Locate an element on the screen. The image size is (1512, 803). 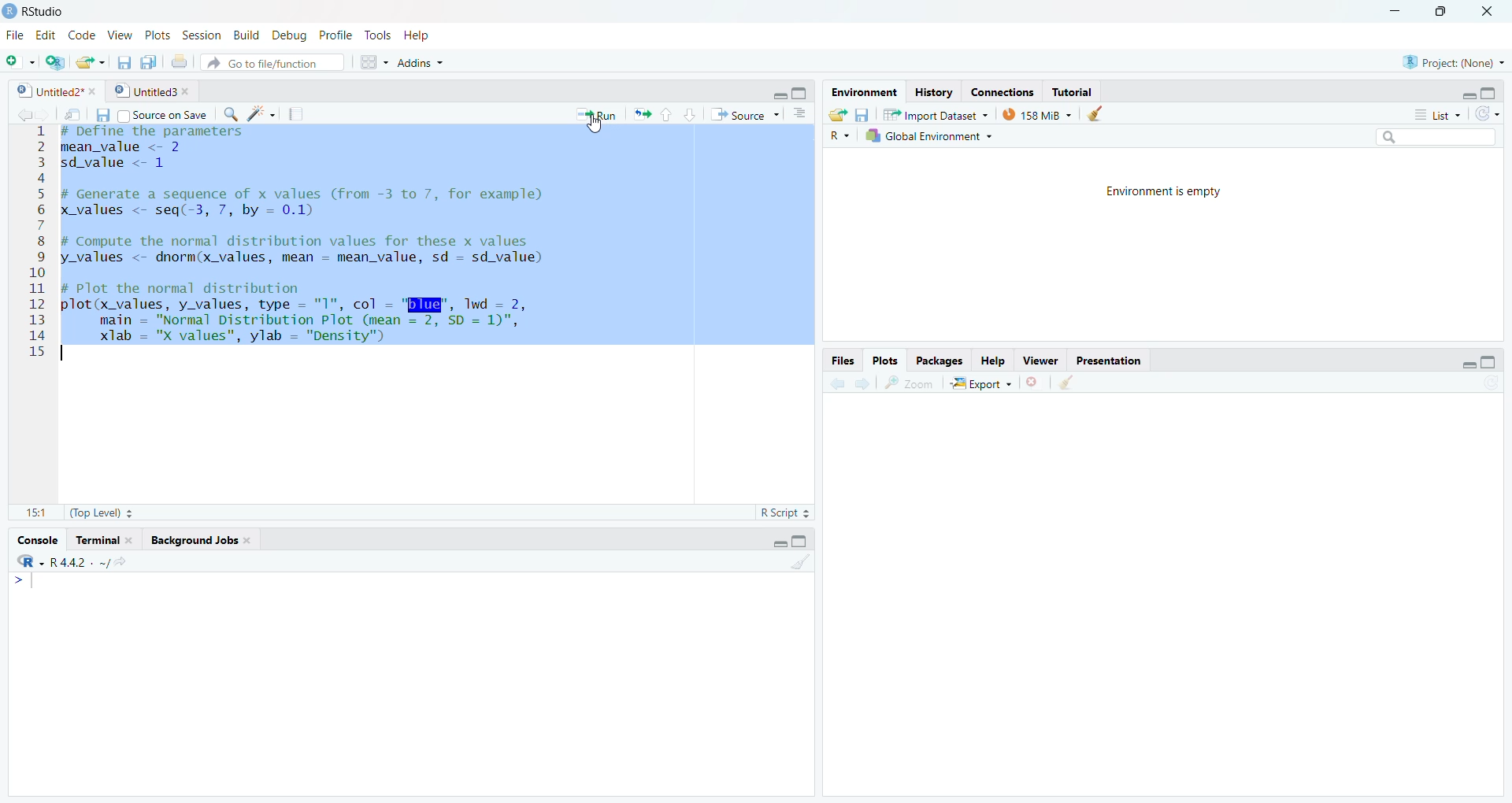
~ Addins ~ is located at coordinates (424, 65).